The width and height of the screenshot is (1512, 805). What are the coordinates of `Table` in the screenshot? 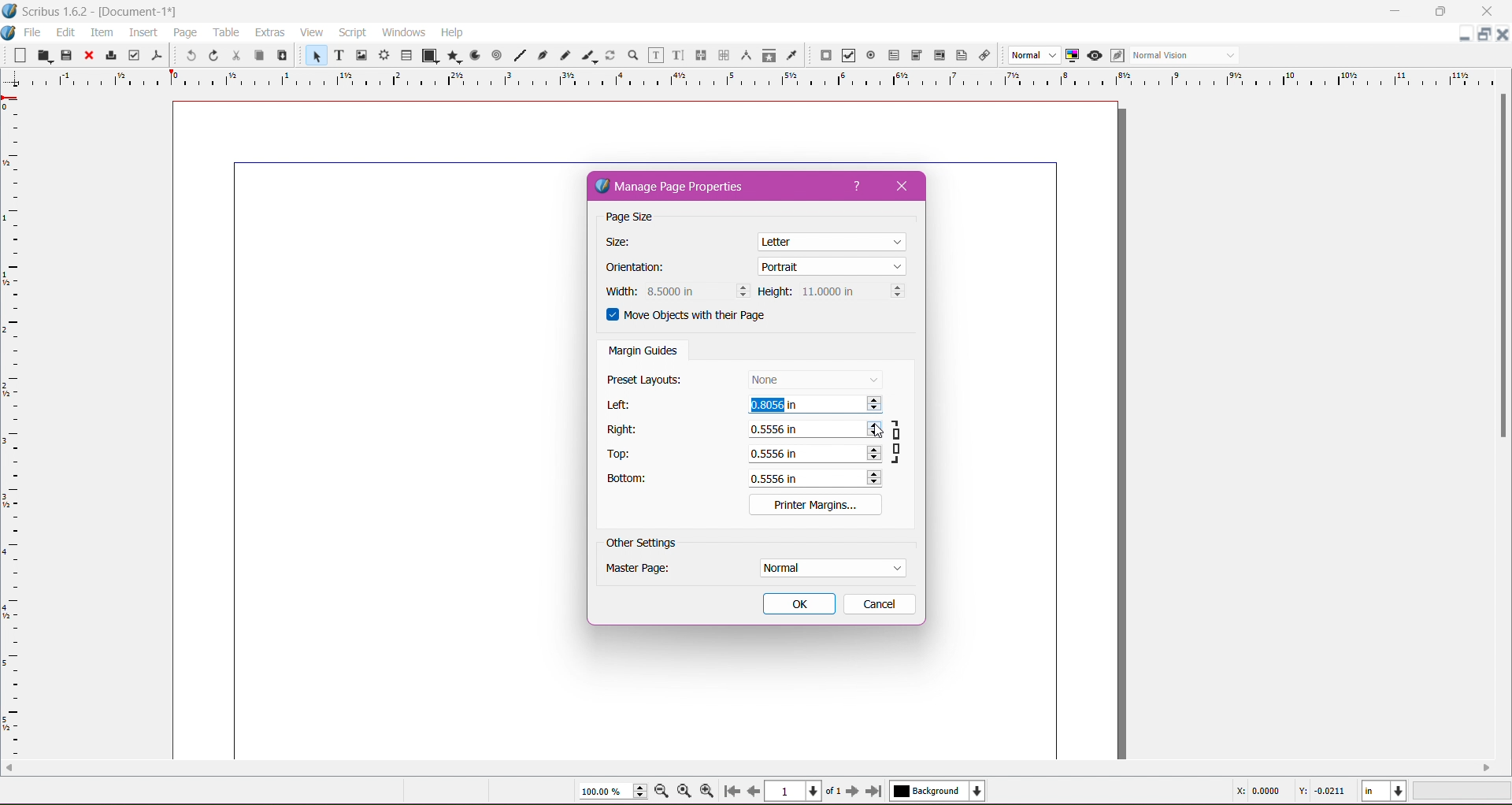 It's located at (225, 32).